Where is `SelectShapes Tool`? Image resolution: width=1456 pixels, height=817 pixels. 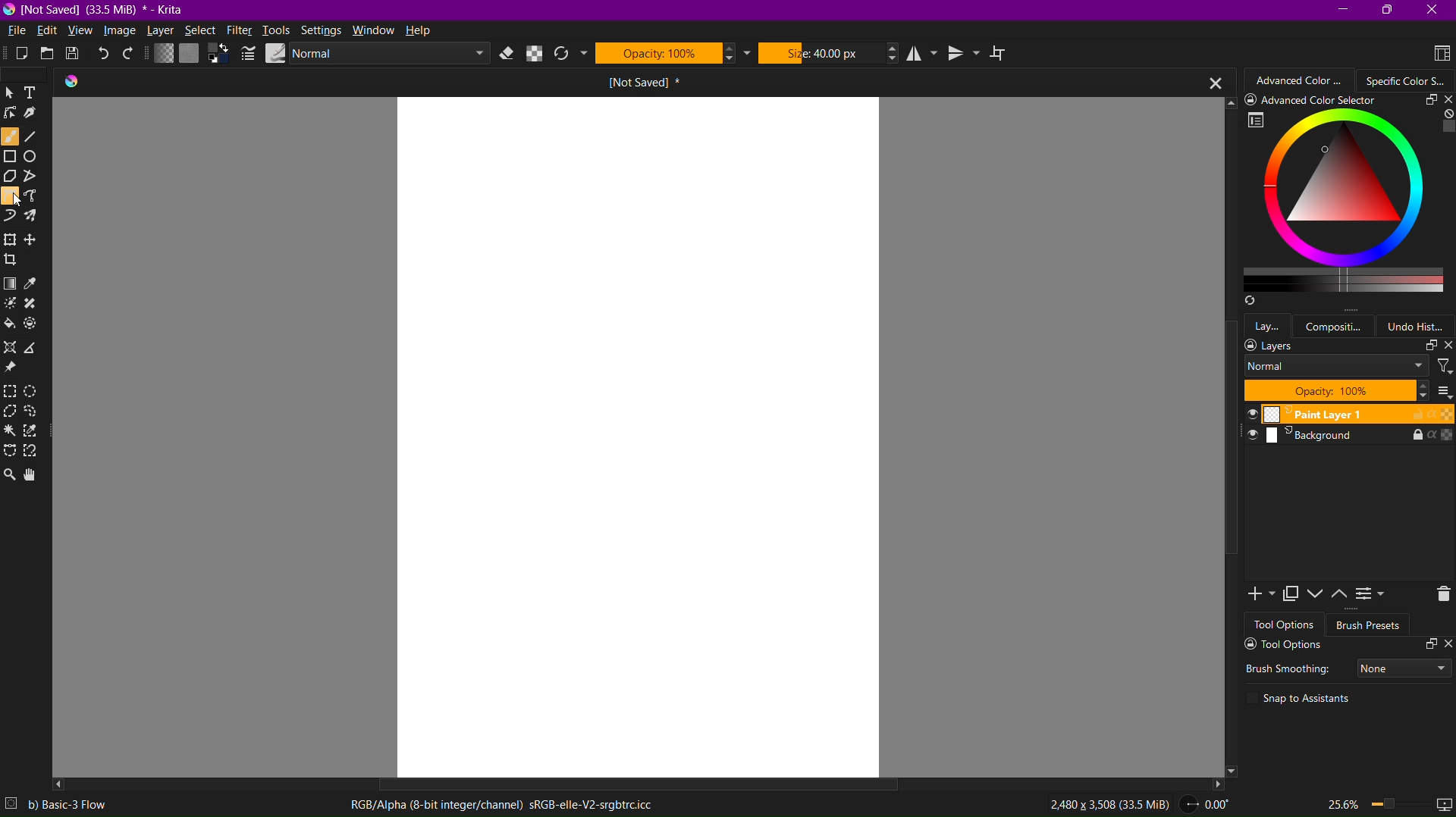 SelectShapes Tool is located at coordinates (11, 93).